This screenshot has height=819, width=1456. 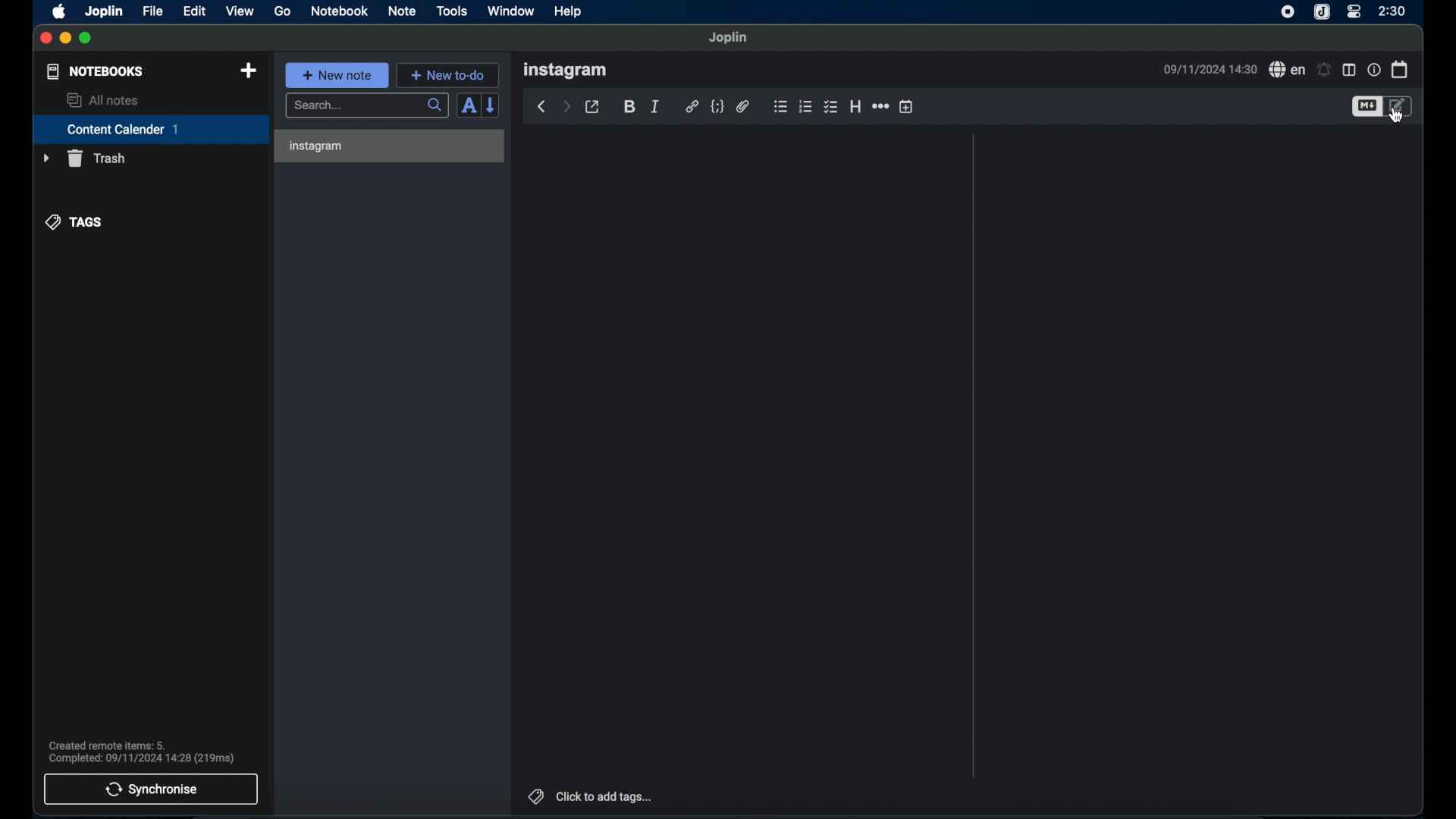 What do you see at coordinates (196, 12) in the screenshot?
I see `edit` at bounding box center [196, 12].